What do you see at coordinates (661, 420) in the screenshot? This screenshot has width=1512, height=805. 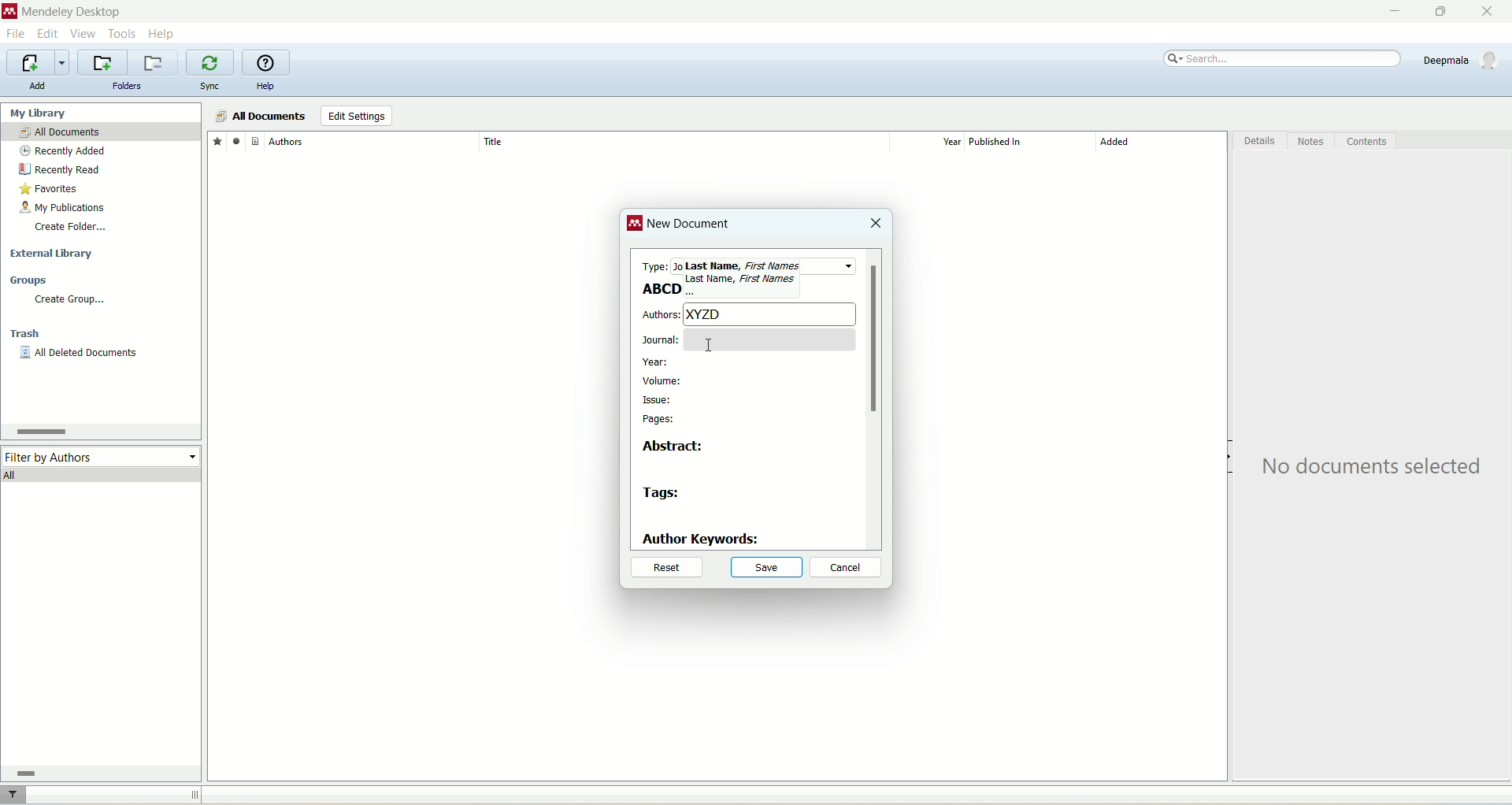 I see `pages` at bounding box center [661, 420].